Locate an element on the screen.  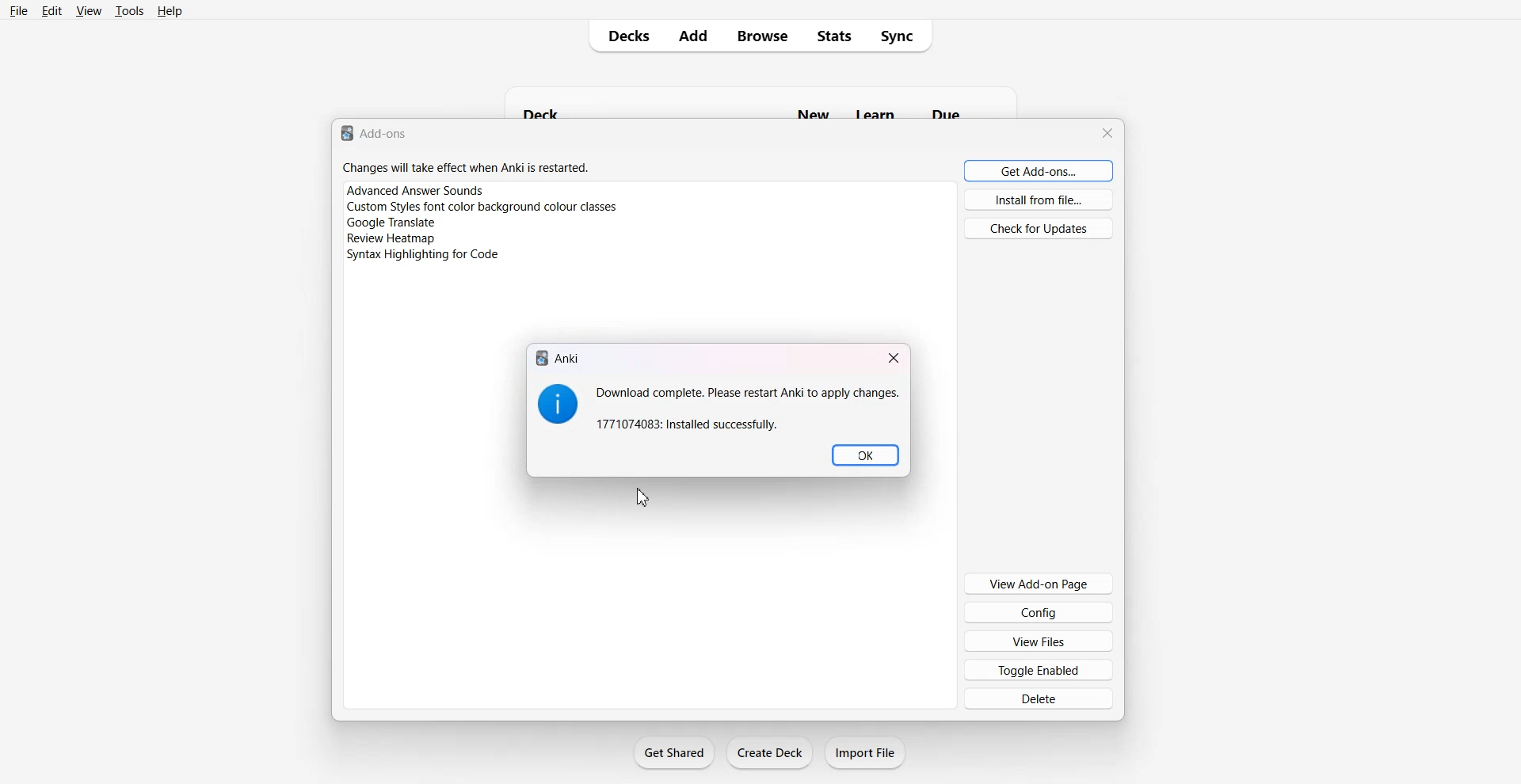
syntax highlighting for code is located at coordinates (426, 255).